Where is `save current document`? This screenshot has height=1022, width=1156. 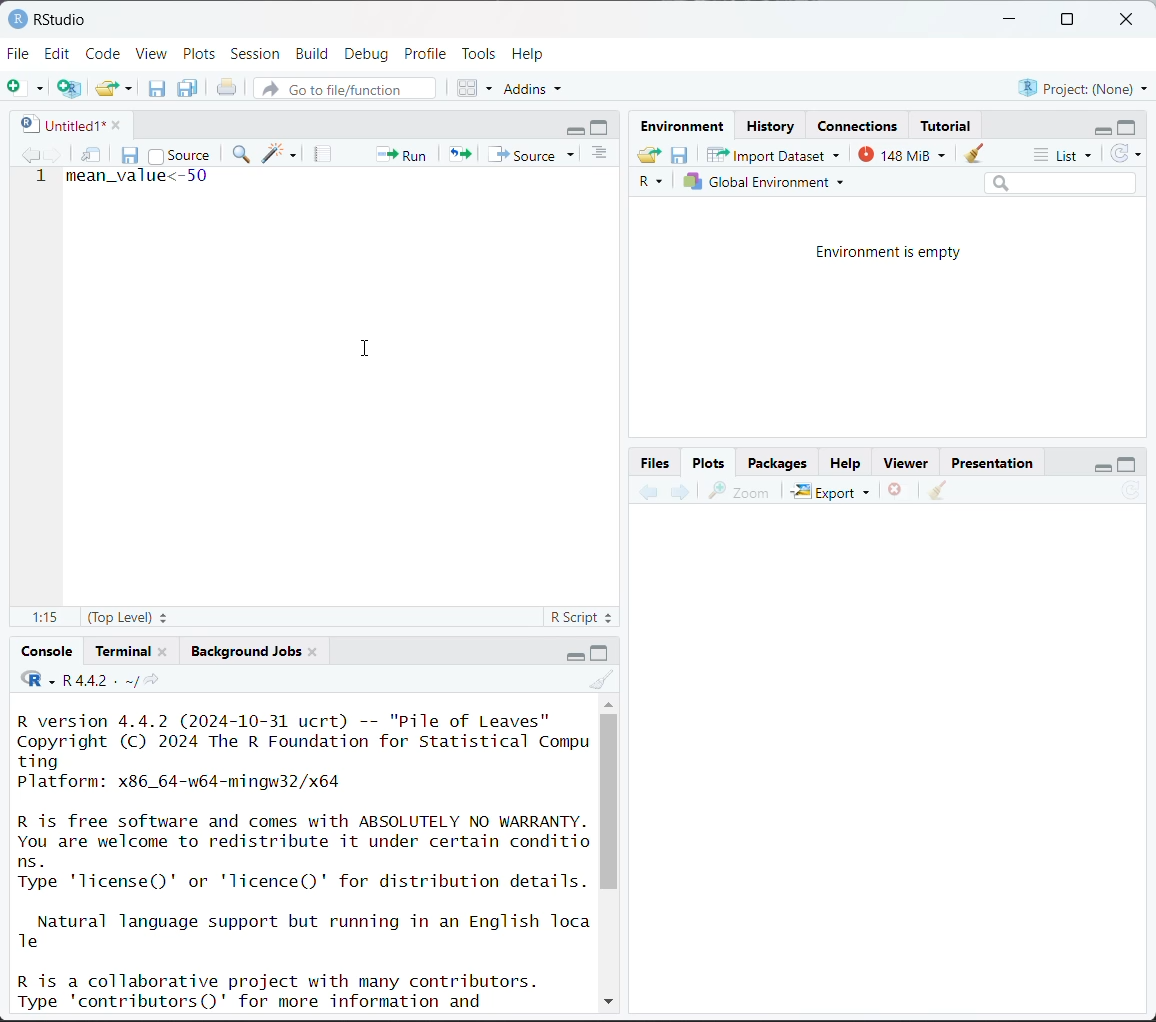 save current document is located at coordinates (131, 153).